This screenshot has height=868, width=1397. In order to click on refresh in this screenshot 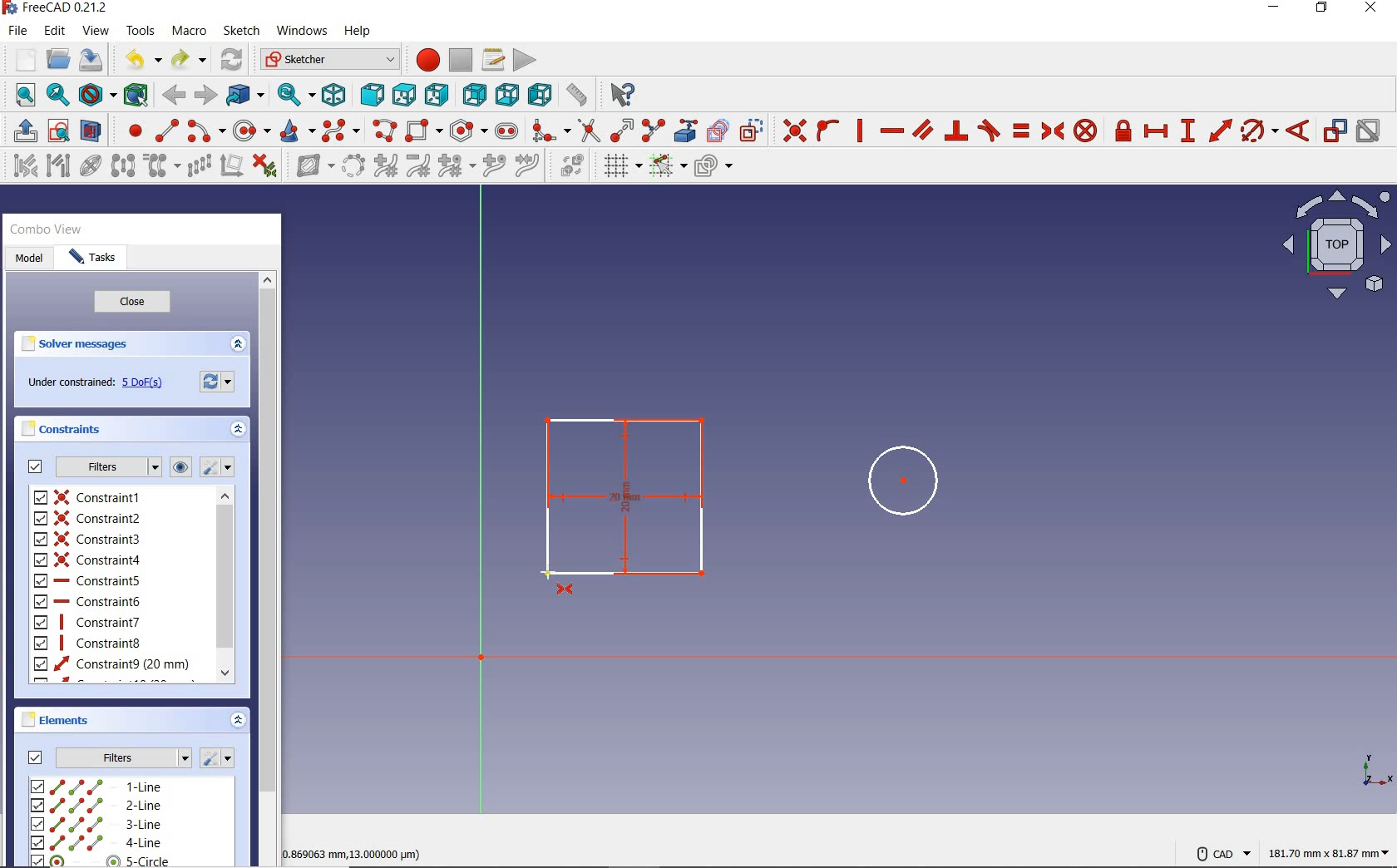, I will do `click(233, 60)`.